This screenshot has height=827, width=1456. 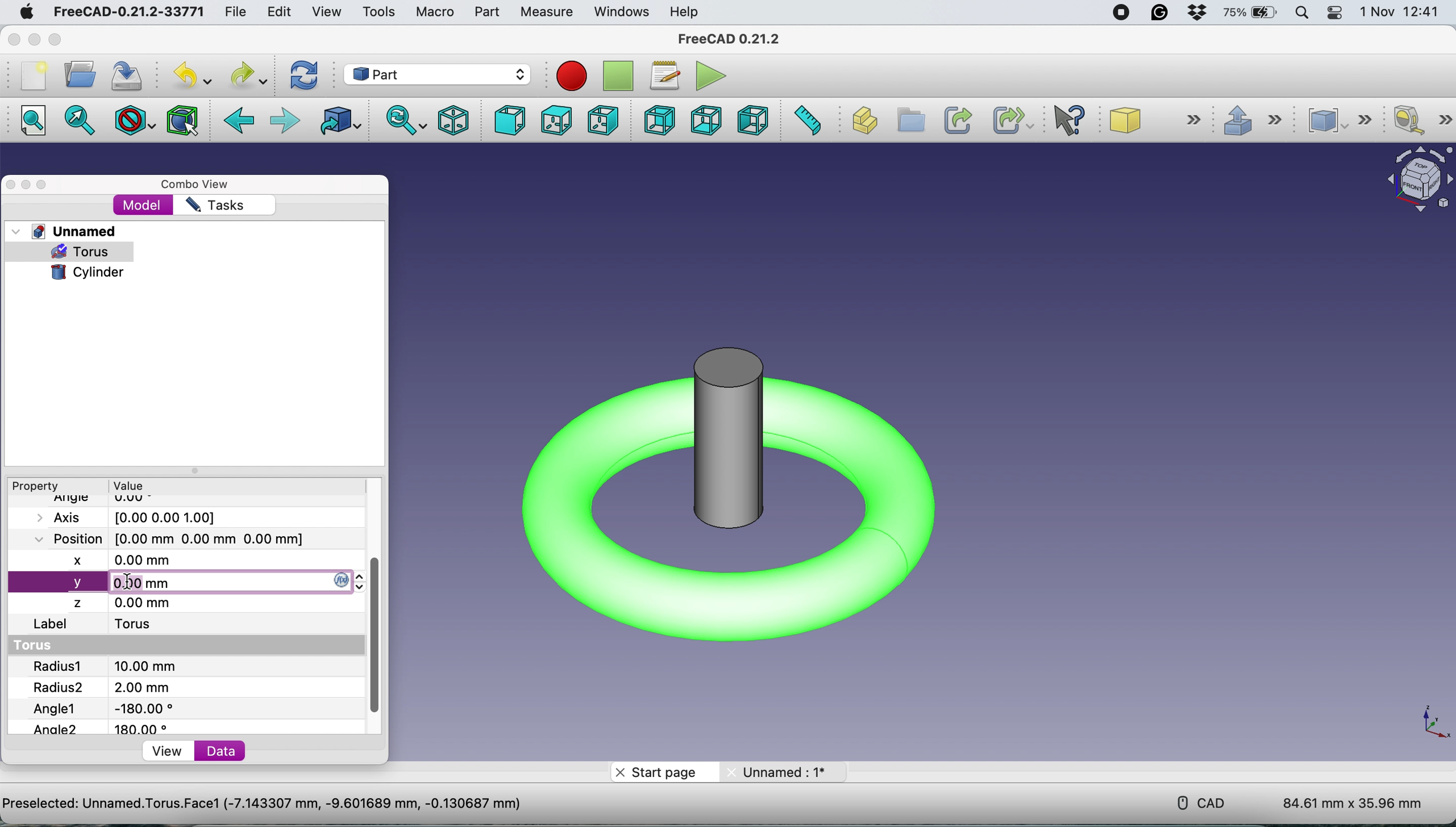 What do you see at coordinates (662, 74) in the screenshot?
I see `macros` at bounding box center [662, 74].